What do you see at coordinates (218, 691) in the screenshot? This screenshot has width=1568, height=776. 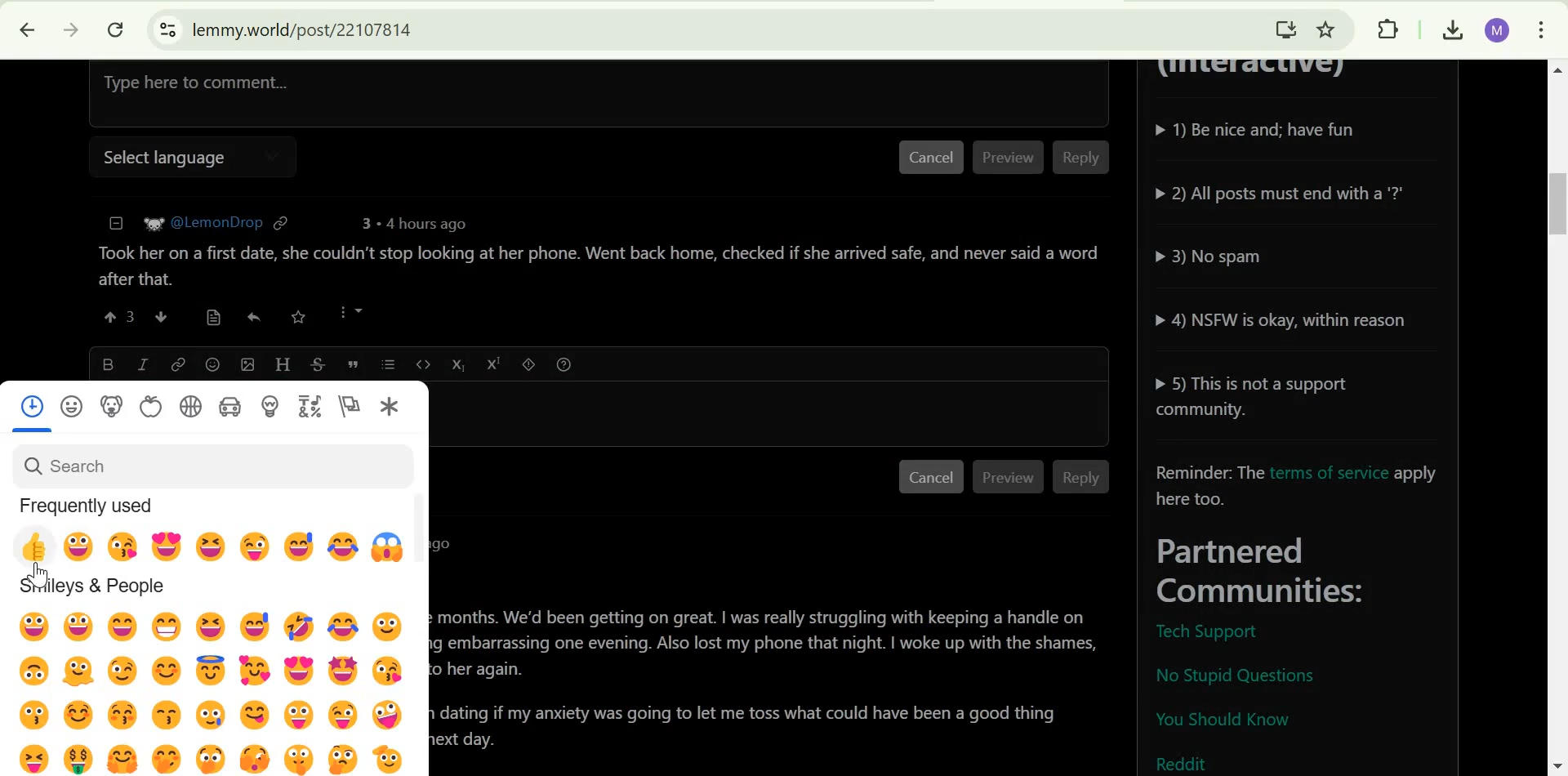 I see `Emojis` at bounding box center [218, 691].